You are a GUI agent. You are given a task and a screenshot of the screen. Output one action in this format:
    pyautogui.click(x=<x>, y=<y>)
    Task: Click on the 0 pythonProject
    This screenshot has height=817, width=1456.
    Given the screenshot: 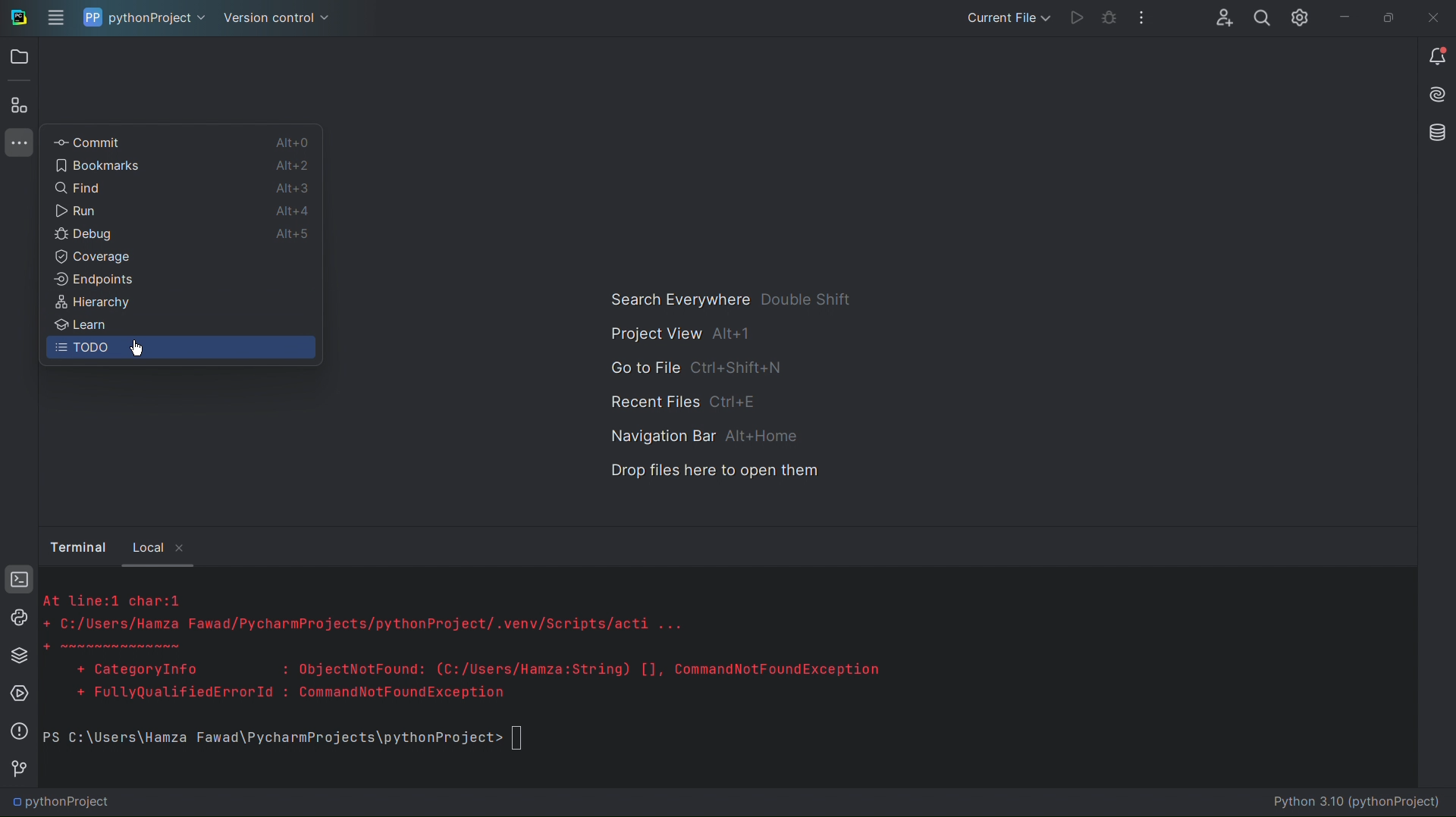 What is the action you would take?
    pyautogui.click(x=61, y=803)
    